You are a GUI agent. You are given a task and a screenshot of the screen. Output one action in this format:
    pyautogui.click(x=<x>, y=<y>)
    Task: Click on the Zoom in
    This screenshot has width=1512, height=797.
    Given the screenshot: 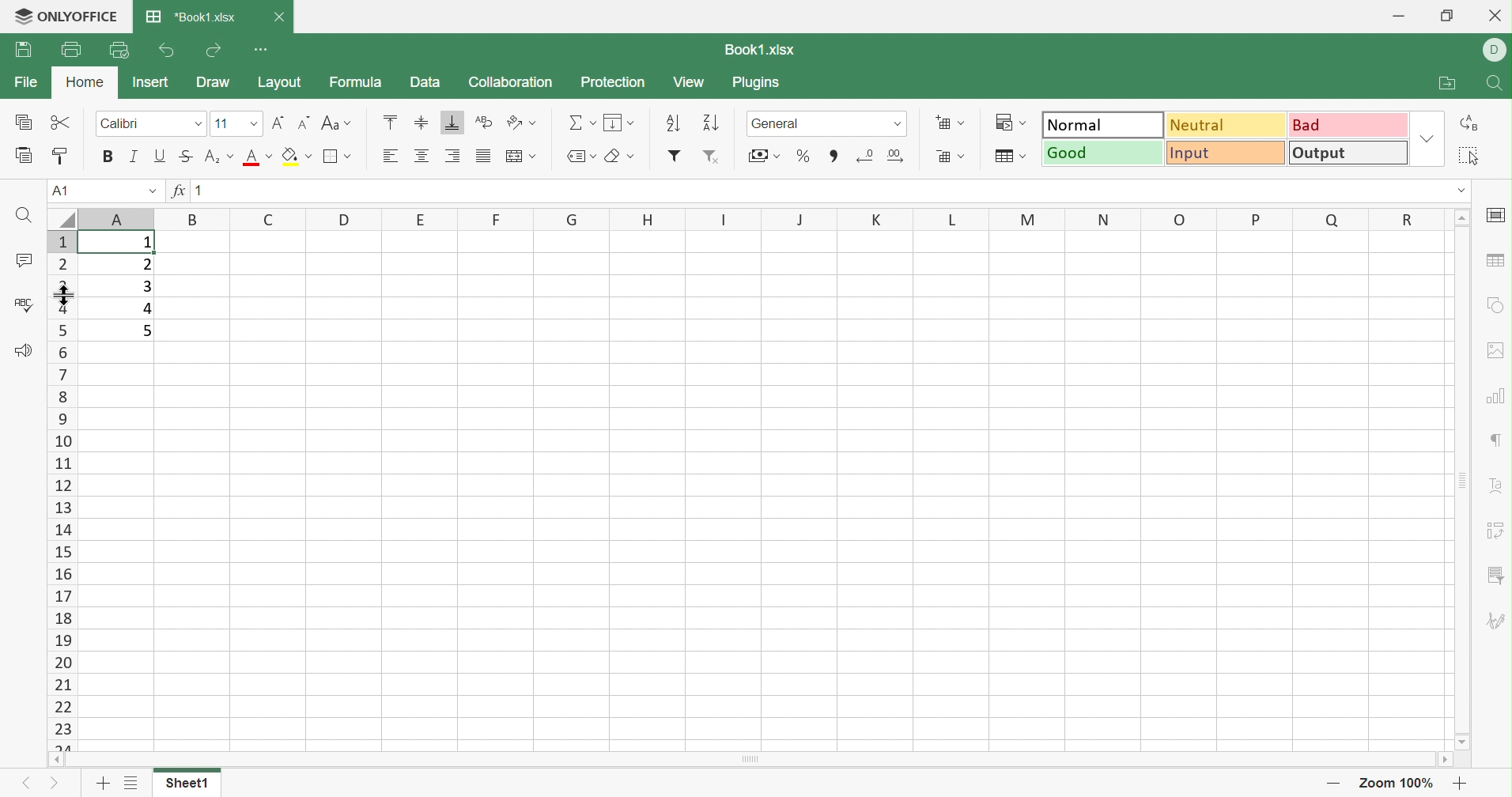 What is the action you would take?
    pyautogui.click(x=1465, y=784)
    